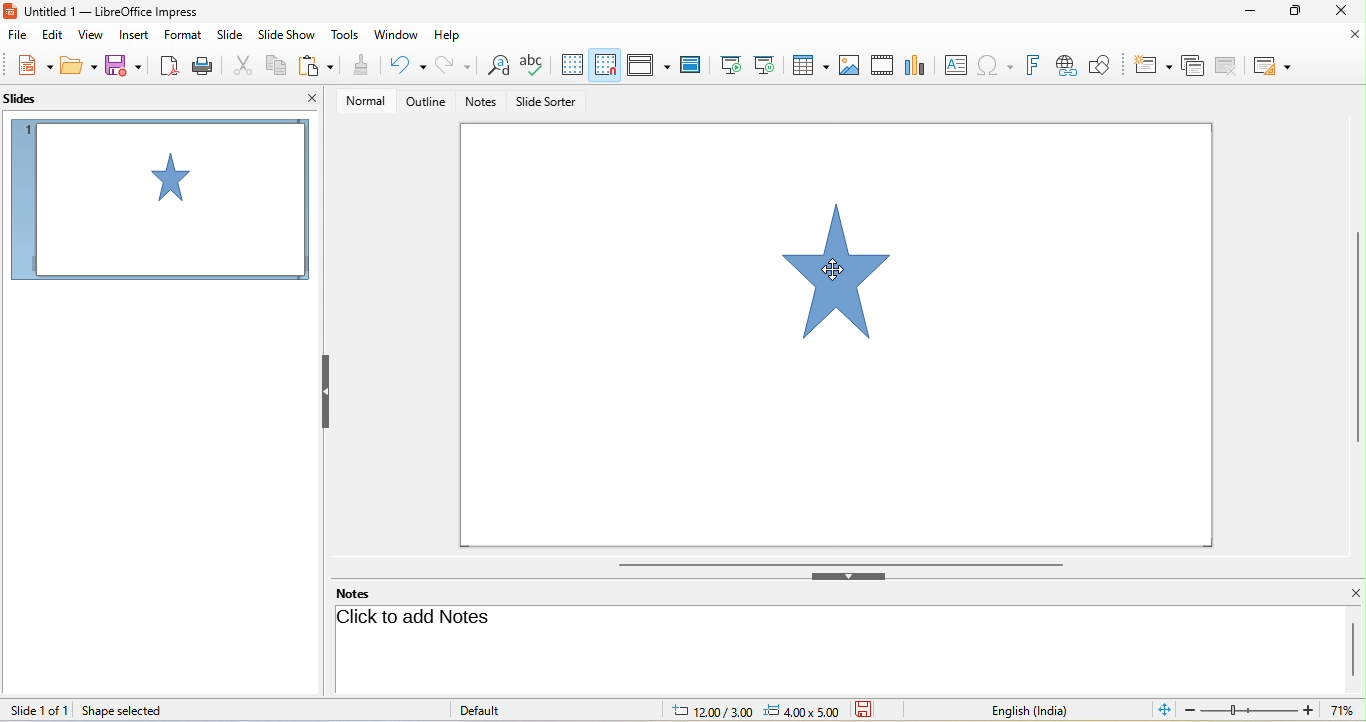 The width and height of the screenshot is (1366, 722). Describe the element at coordinates (1191, 67) in the screenshot. I see `delete slide` at that location.